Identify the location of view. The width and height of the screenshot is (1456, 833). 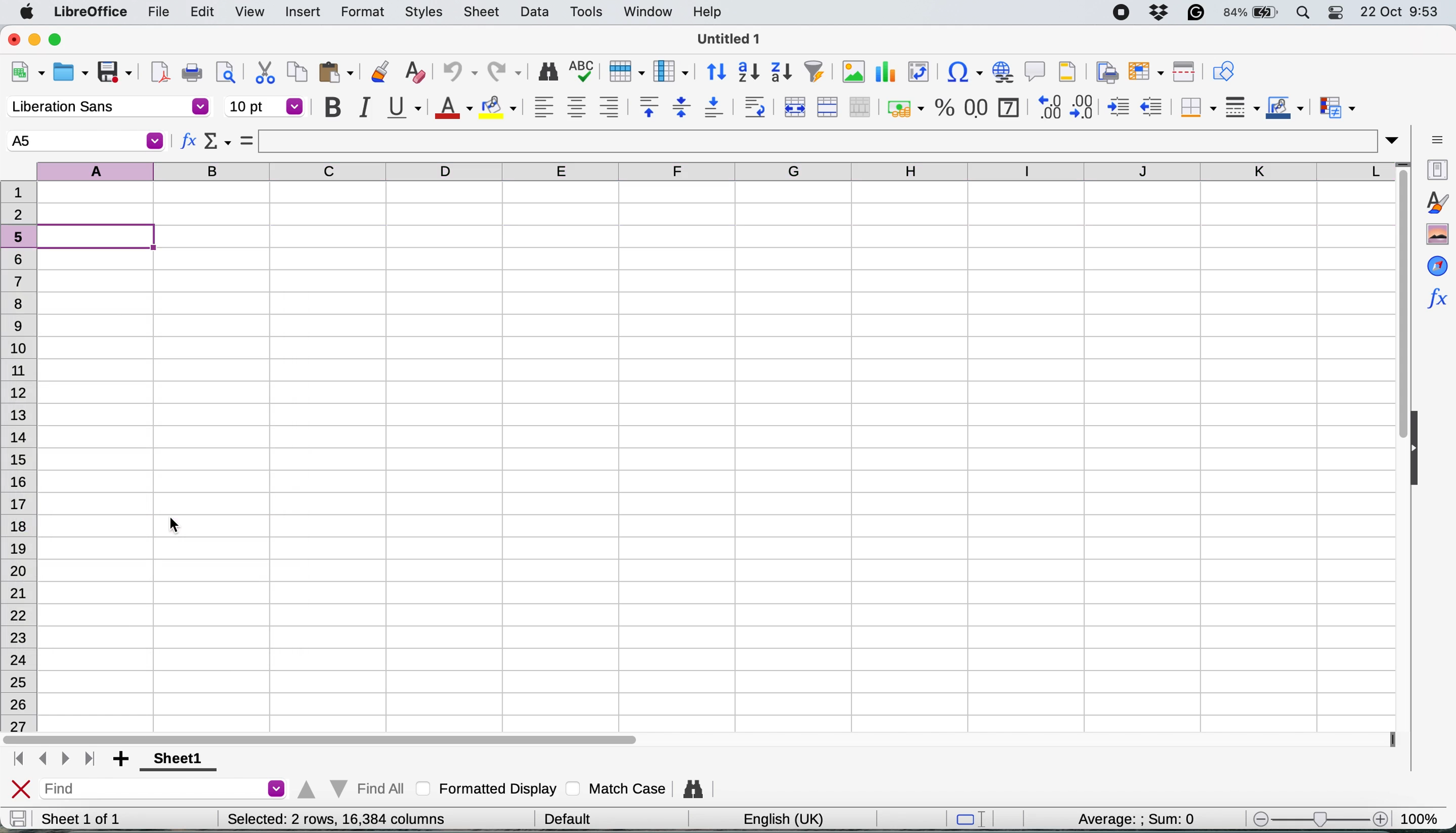
(249, 12).